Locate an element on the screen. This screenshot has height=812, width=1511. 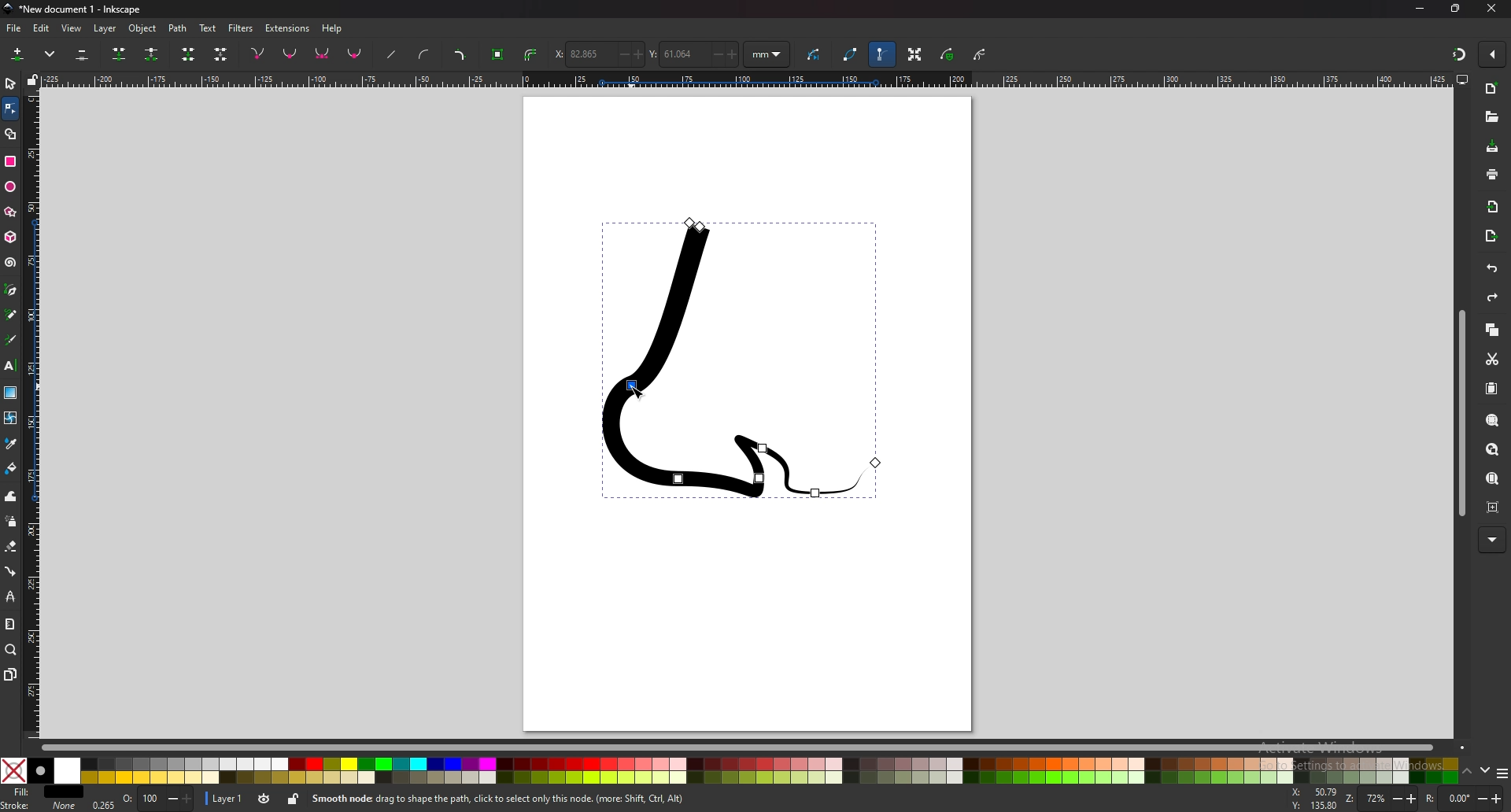
new is located at coordinates (1491, 89).